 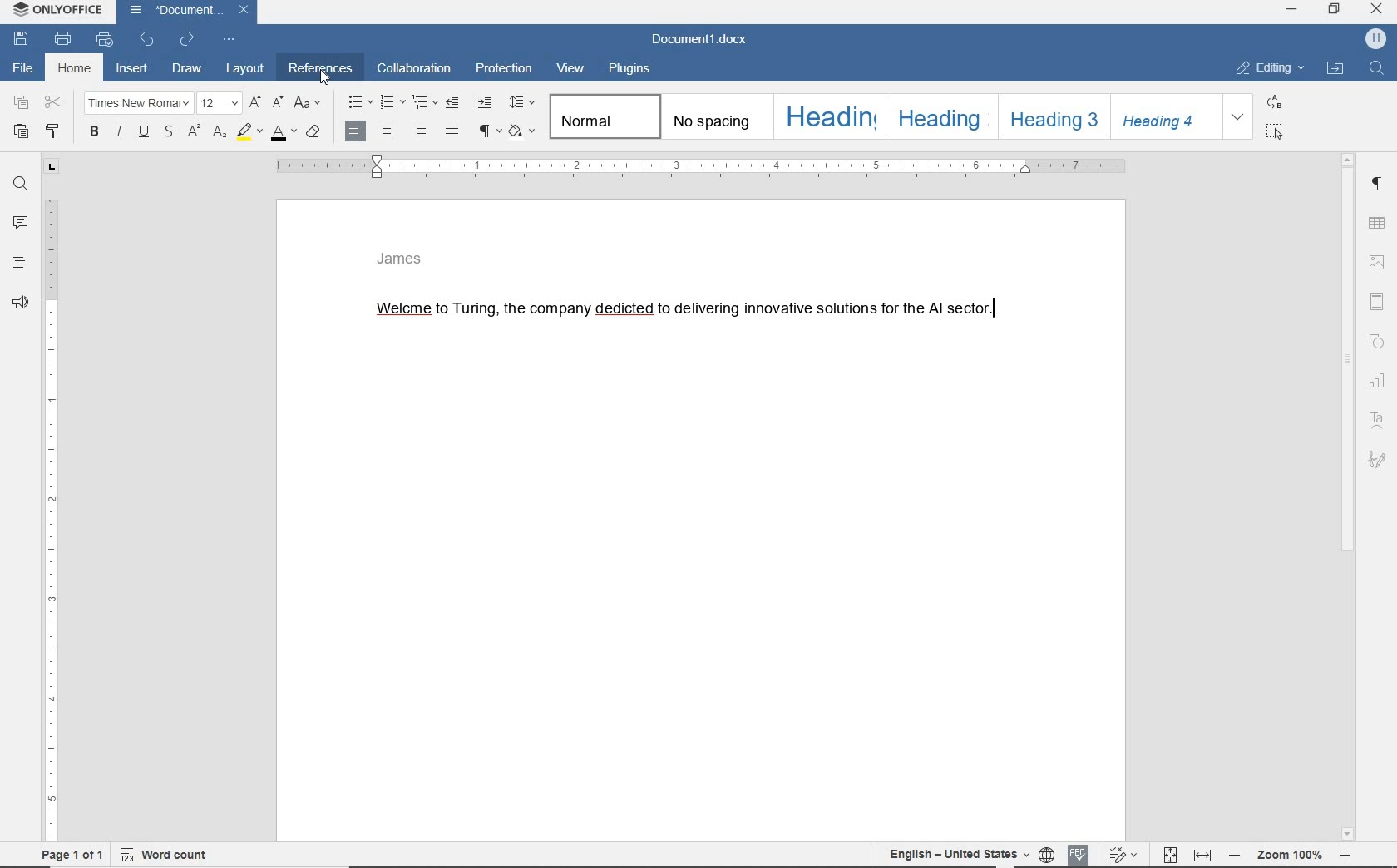 I want to click on SHAPES, so click(x=1378, y=341).